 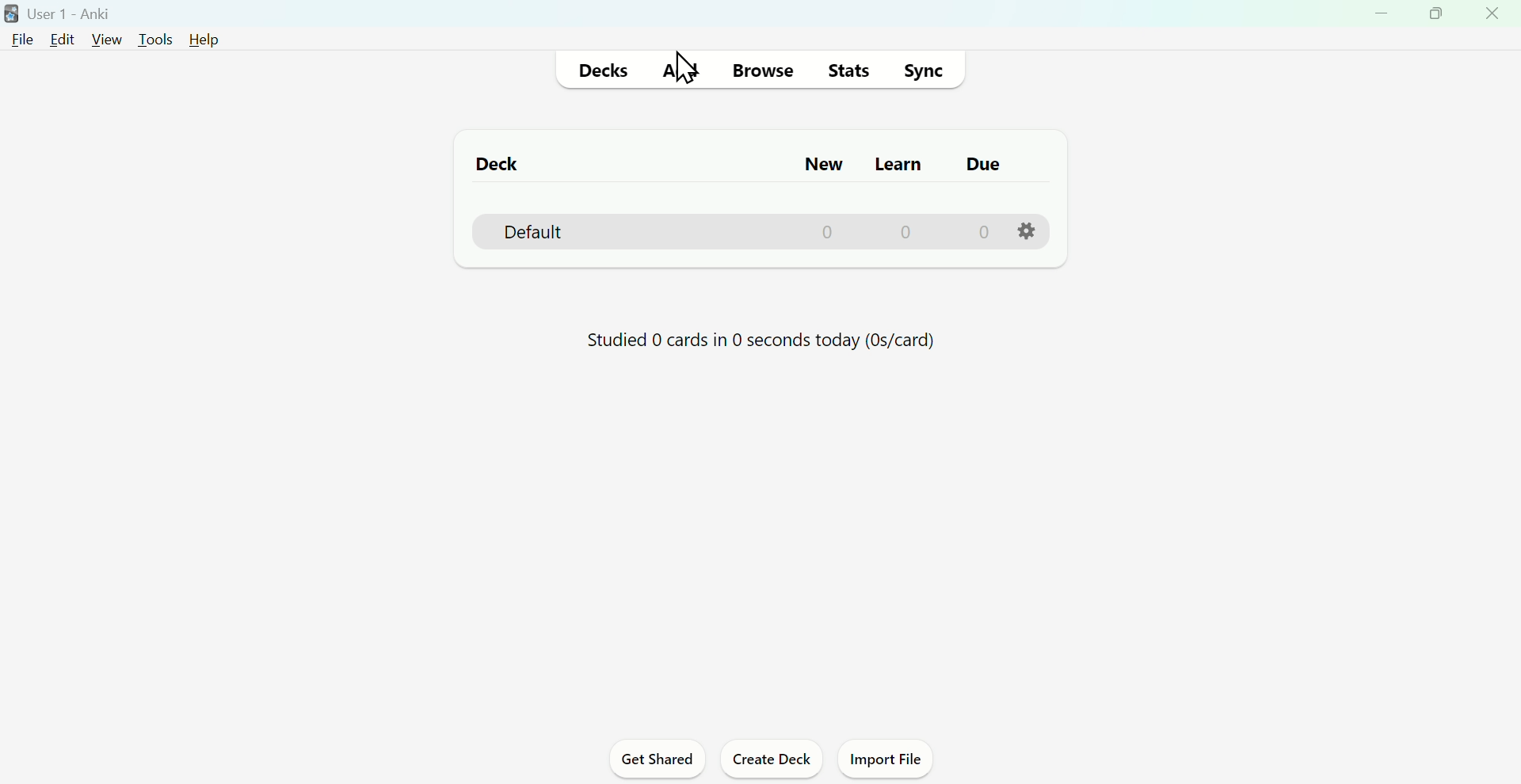 What do you see at coordinates (928, 70) in the screenshot?
I see `Sync` at bounding box center [928, 70].